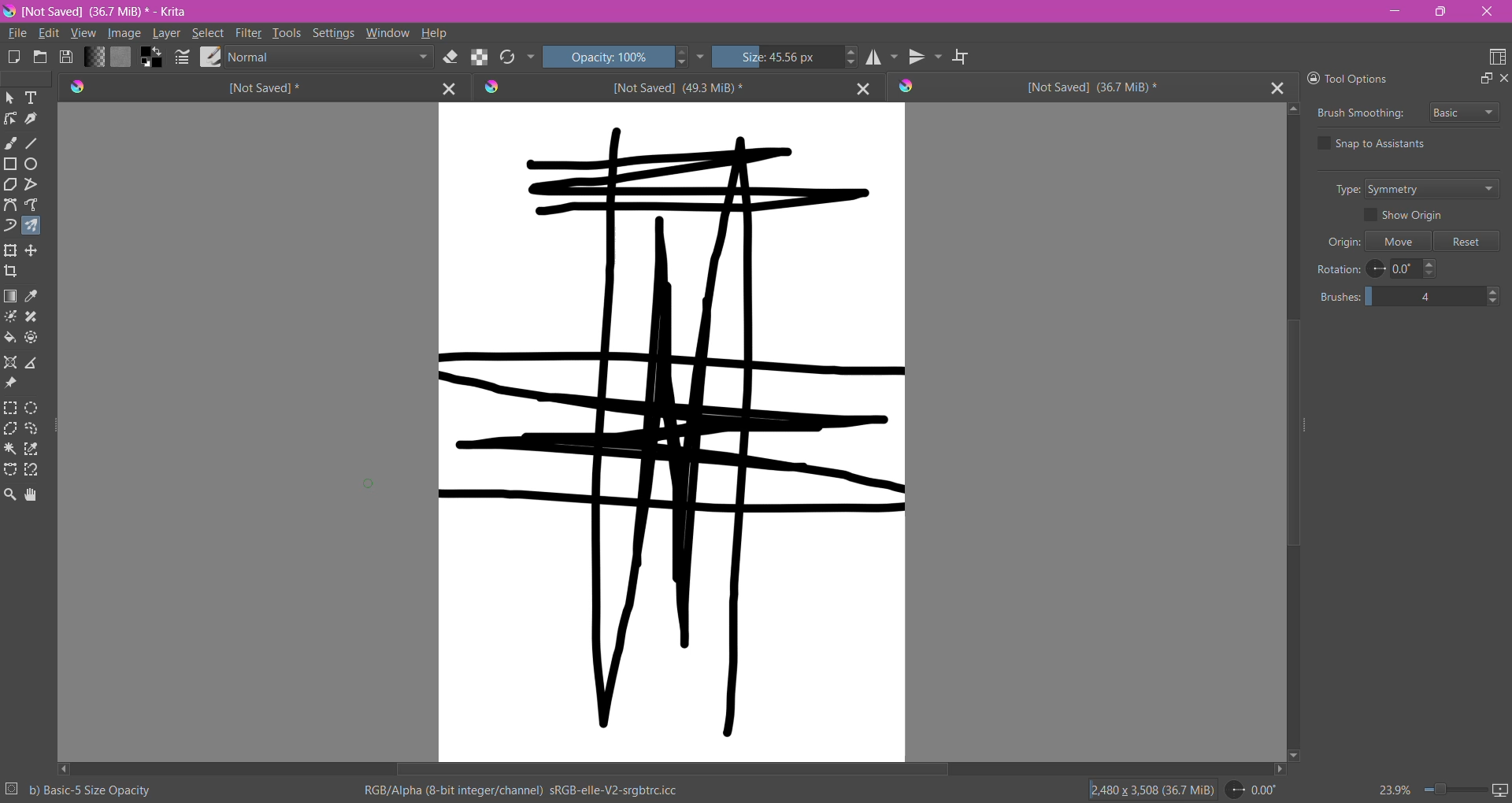  Describe the element at coordinates (11, 495) in the screenshot. I see `Zoom Tool` at that location.